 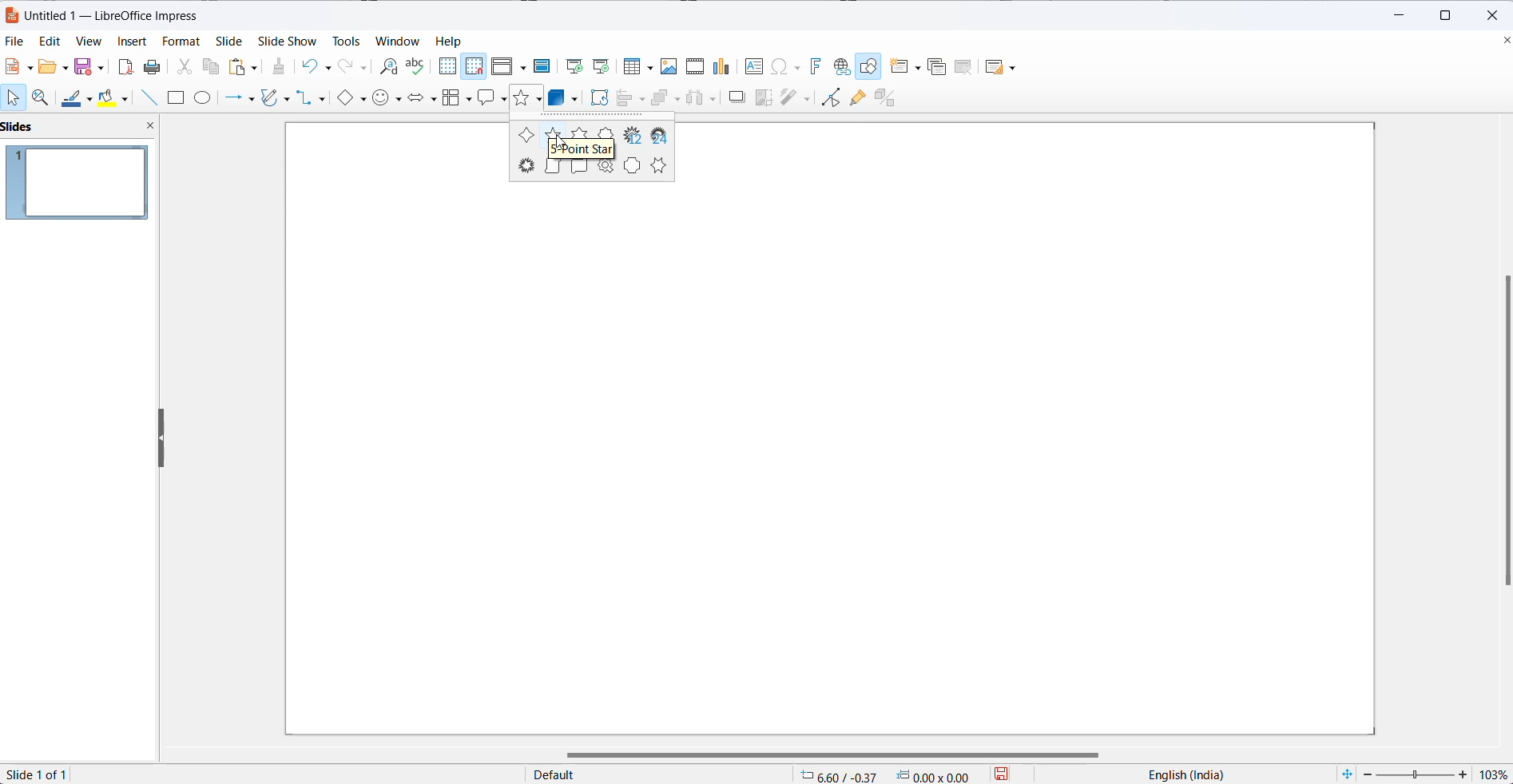 I want to click on six-point star concave, so click(x=662, y=168).